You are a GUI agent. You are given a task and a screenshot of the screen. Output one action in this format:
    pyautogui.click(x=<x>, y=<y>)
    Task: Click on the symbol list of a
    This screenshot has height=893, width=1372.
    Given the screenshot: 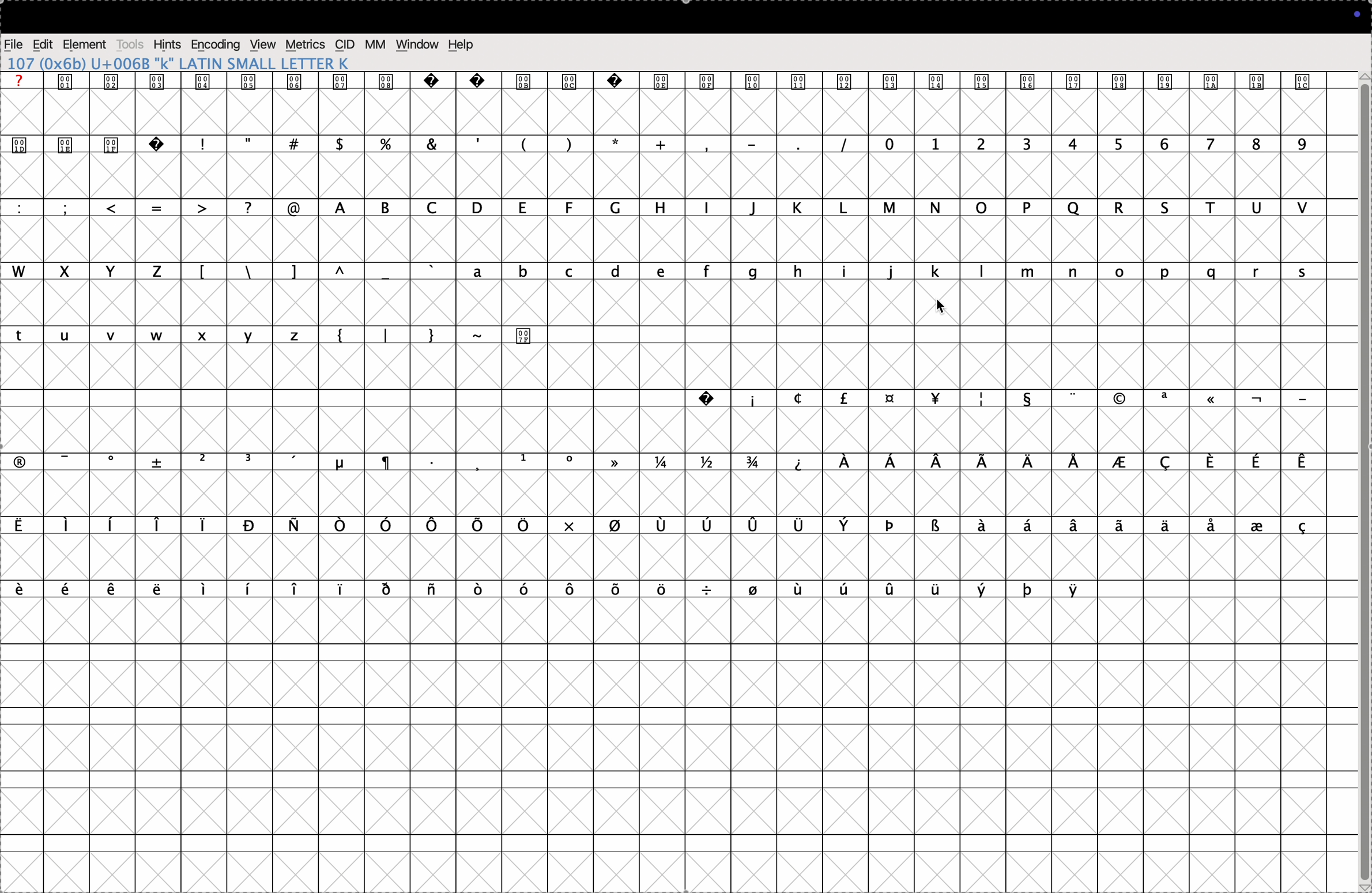 What is the action you would take?
    pyautogui.click(x=1139, y=528)
    